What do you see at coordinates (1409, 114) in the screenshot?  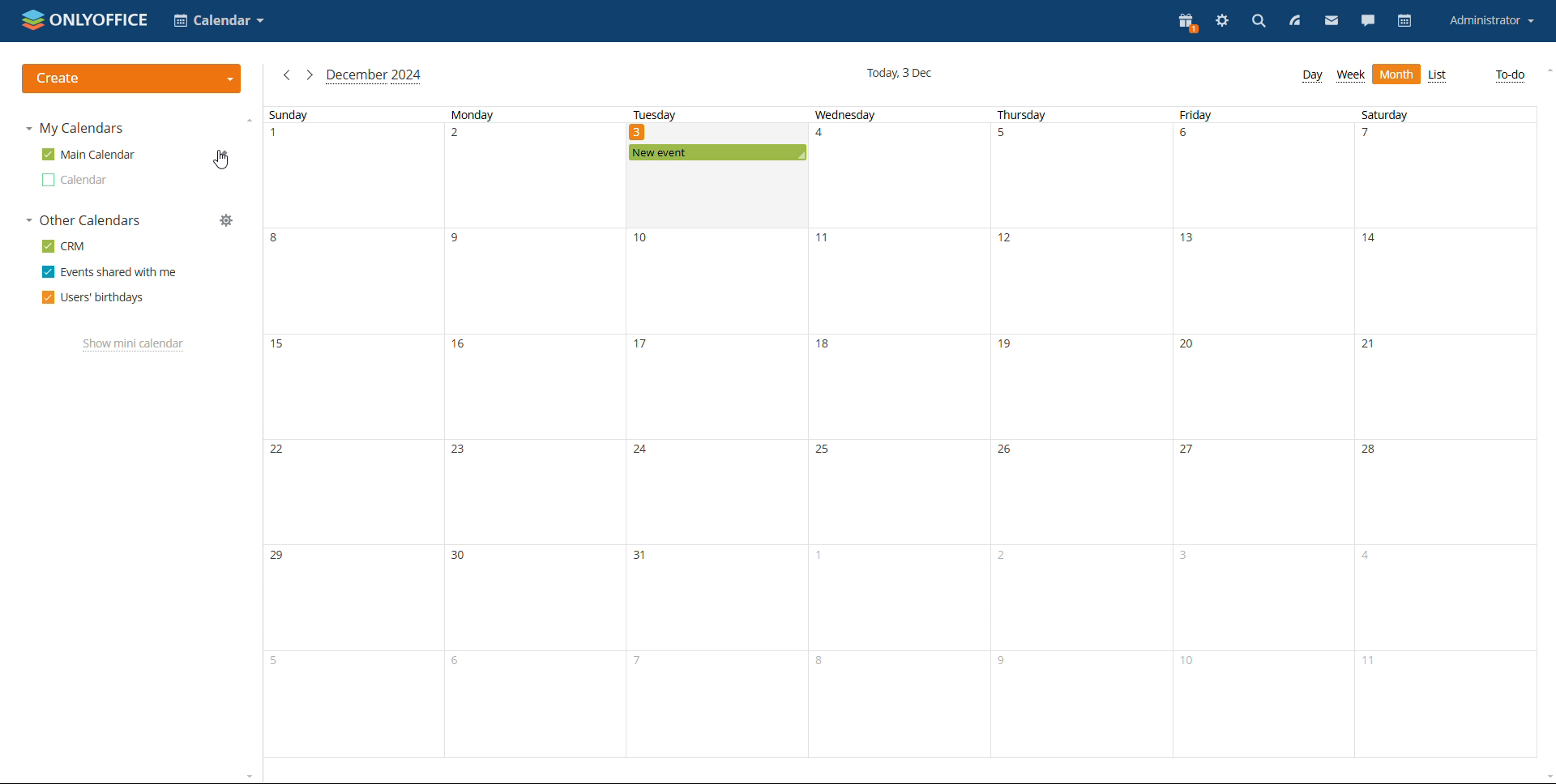 I see `Saturday` at bounding box center [1409, 114].